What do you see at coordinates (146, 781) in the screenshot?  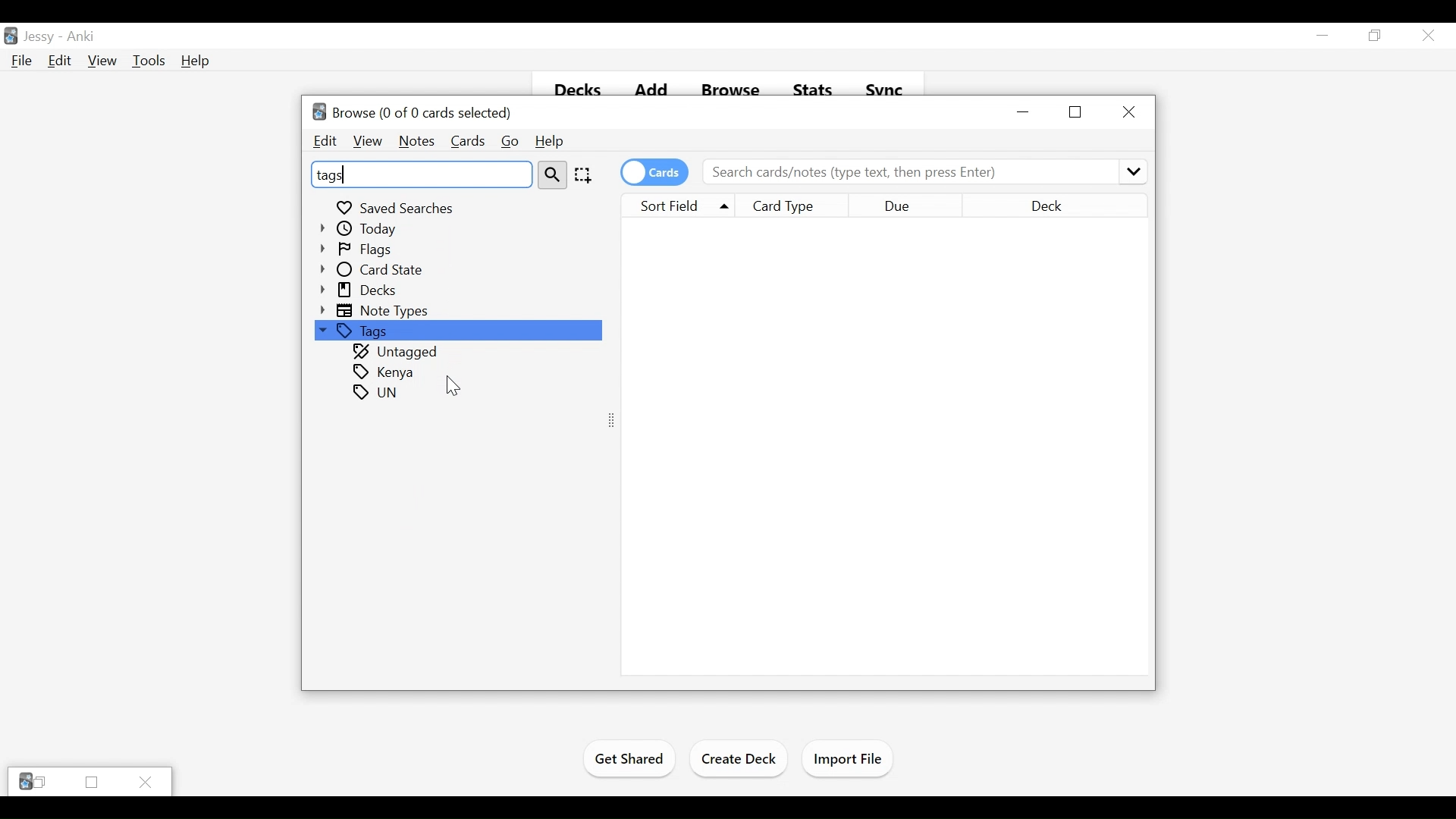 I see `Close` at bounding box center [146, 781].